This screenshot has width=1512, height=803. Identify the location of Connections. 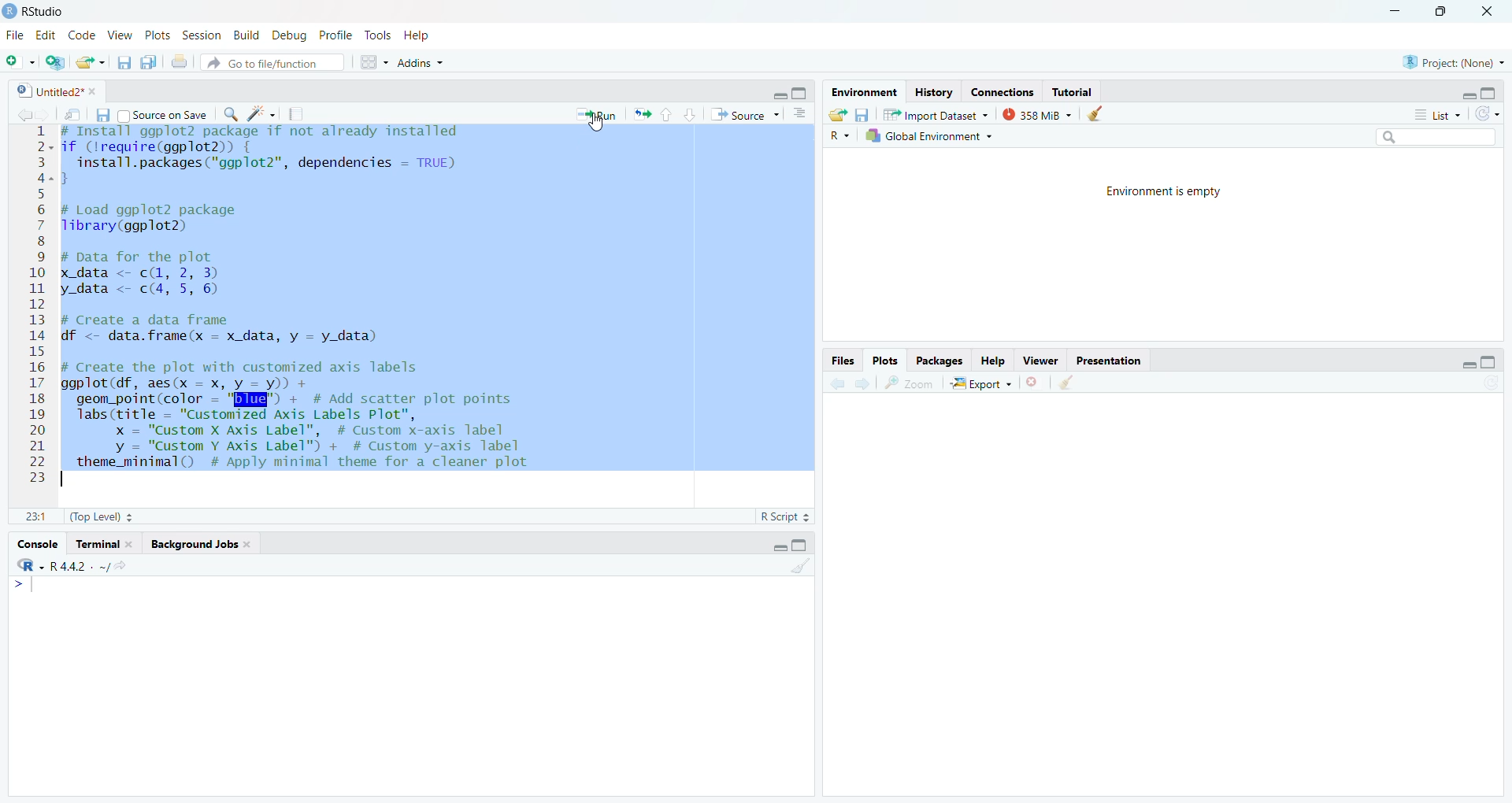
(1001, 91).